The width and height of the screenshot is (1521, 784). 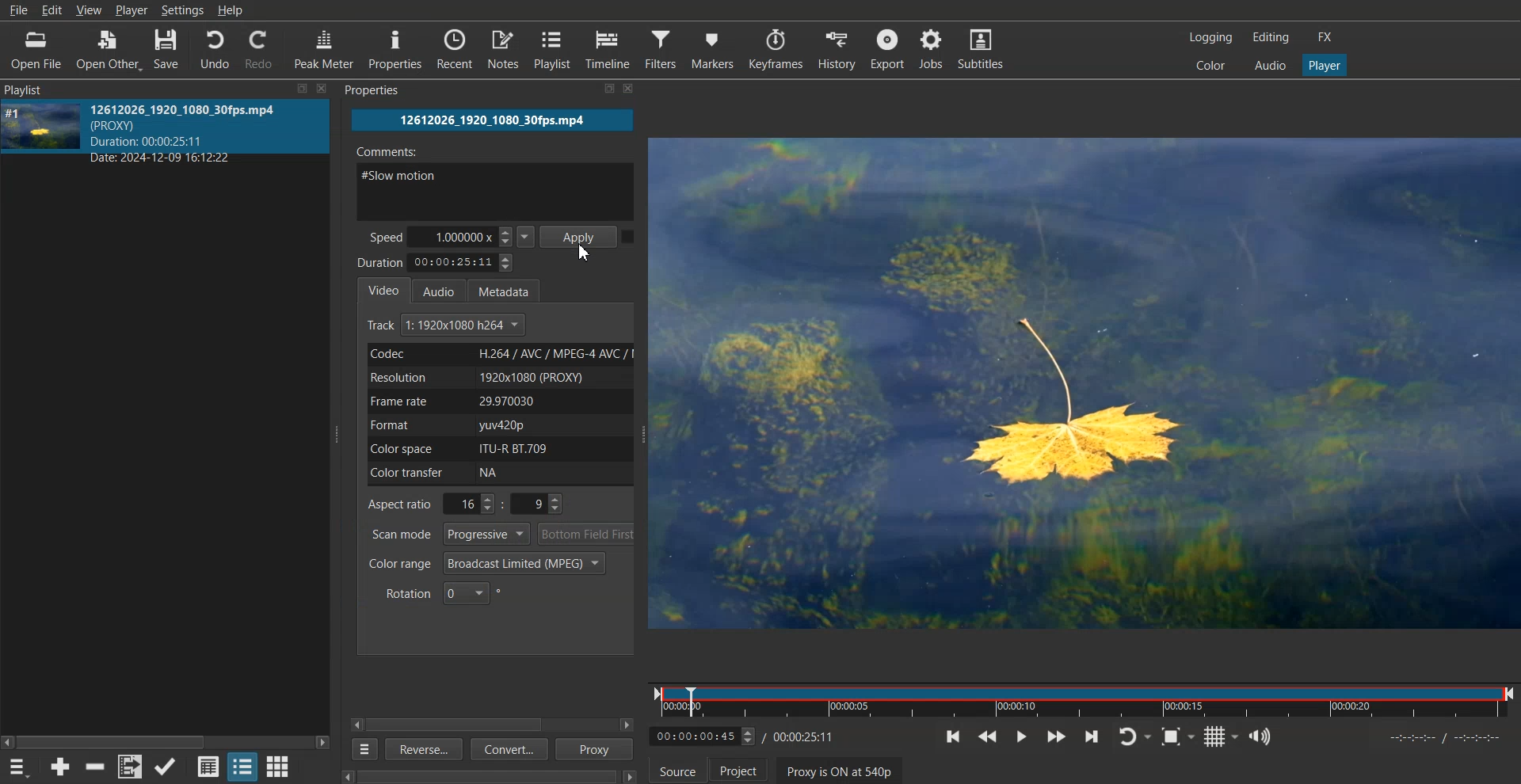 What do you see at coordinates (444, 592) in the screenshot?
I see `Rotation` at bounding box center [444, 592].